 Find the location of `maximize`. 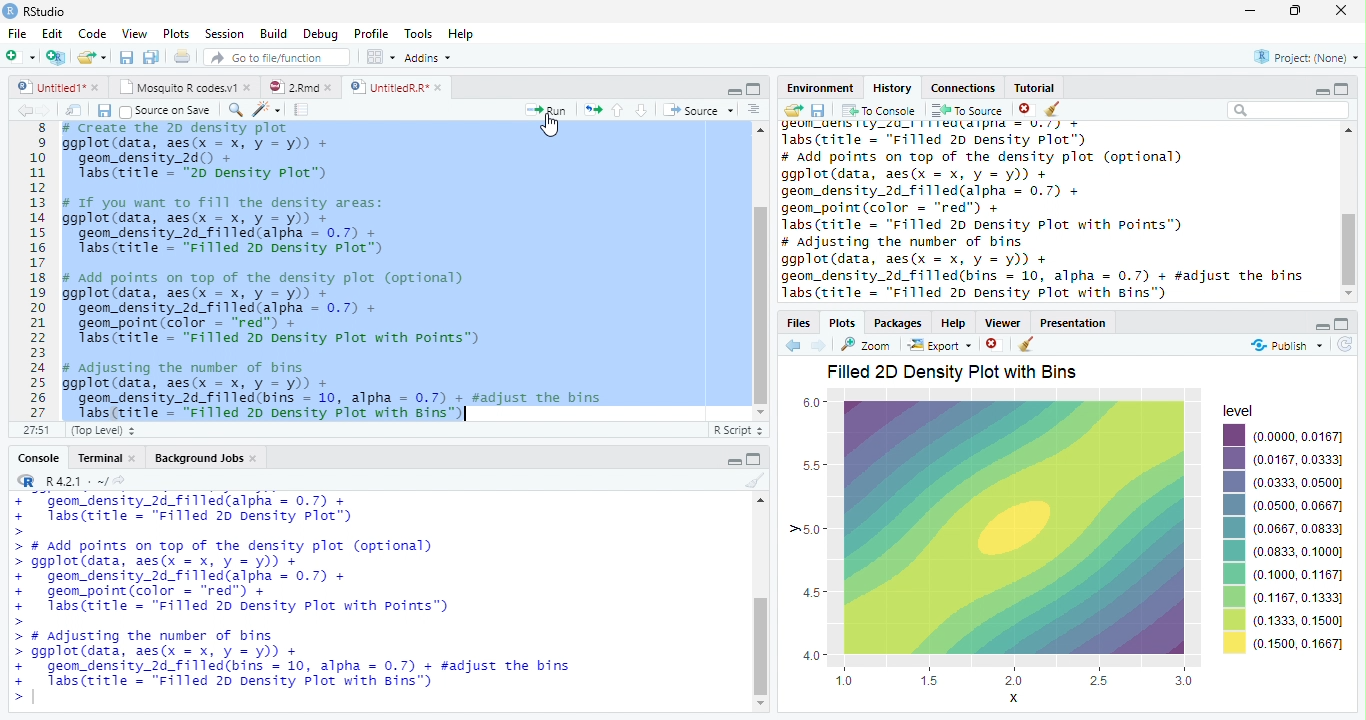

maximize is located at coordinates (756, 459).